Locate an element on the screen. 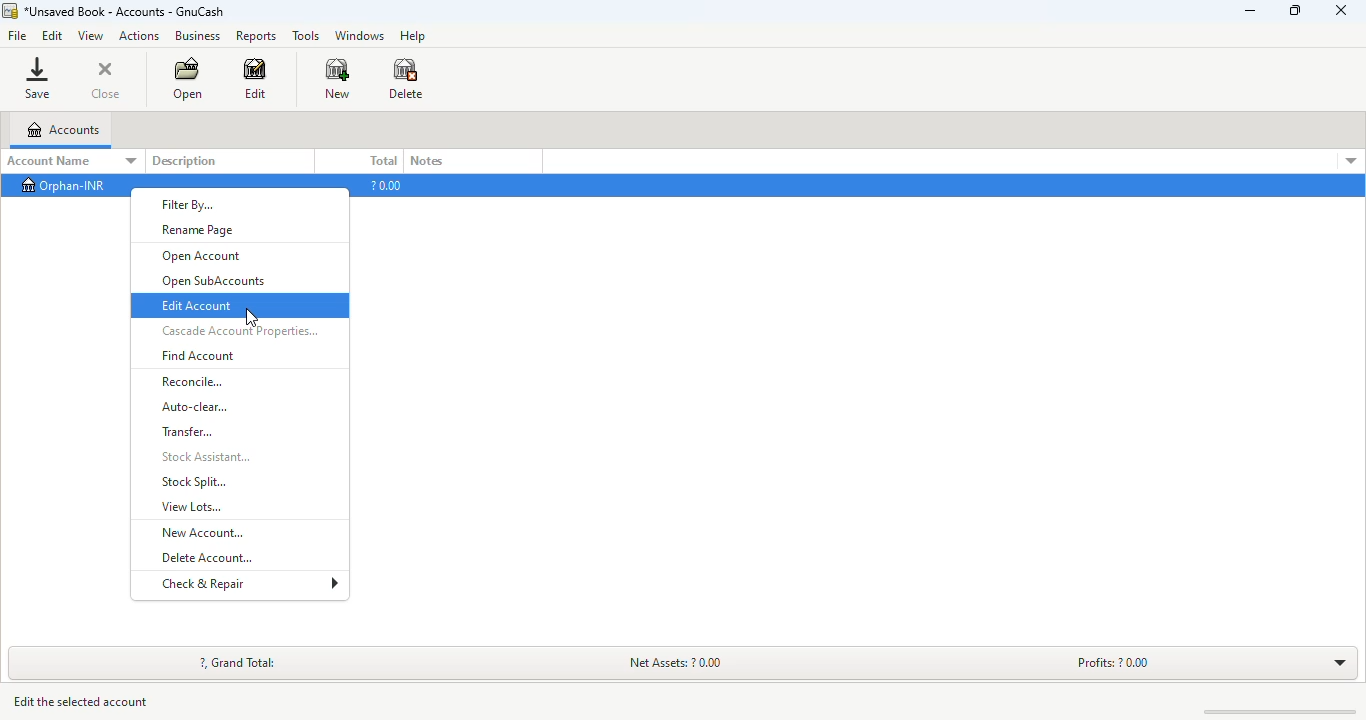 Image resolution: width=1366 pixels, height=720 pixels. title is located at coordinates (125, 12).